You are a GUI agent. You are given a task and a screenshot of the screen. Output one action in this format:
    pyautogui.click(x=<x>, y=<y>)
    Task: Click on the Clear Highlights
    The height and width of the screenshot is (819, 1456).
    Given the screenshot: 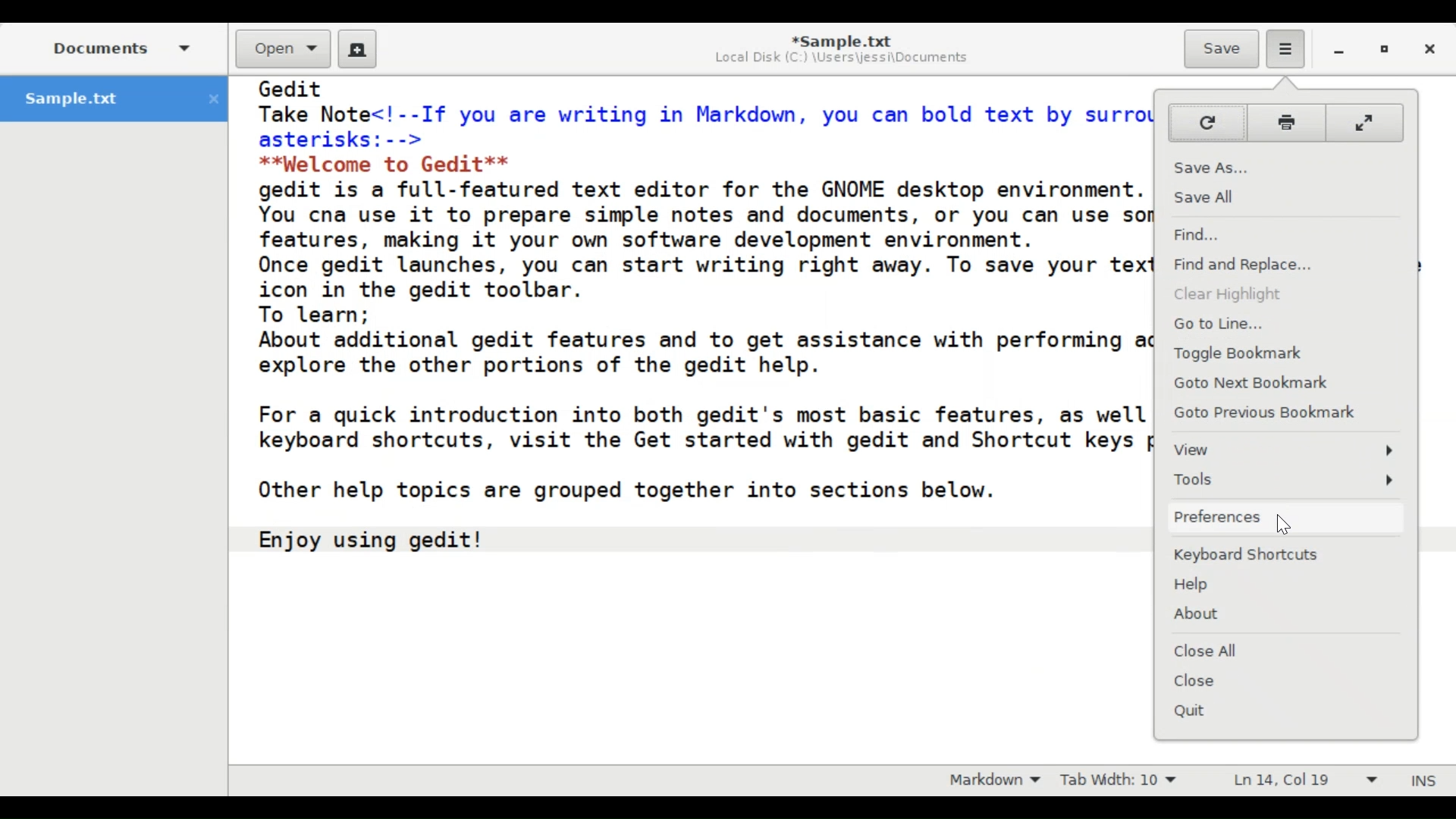 What is the action you would take?
    pyautogui.click(x=1287, y=293)
    